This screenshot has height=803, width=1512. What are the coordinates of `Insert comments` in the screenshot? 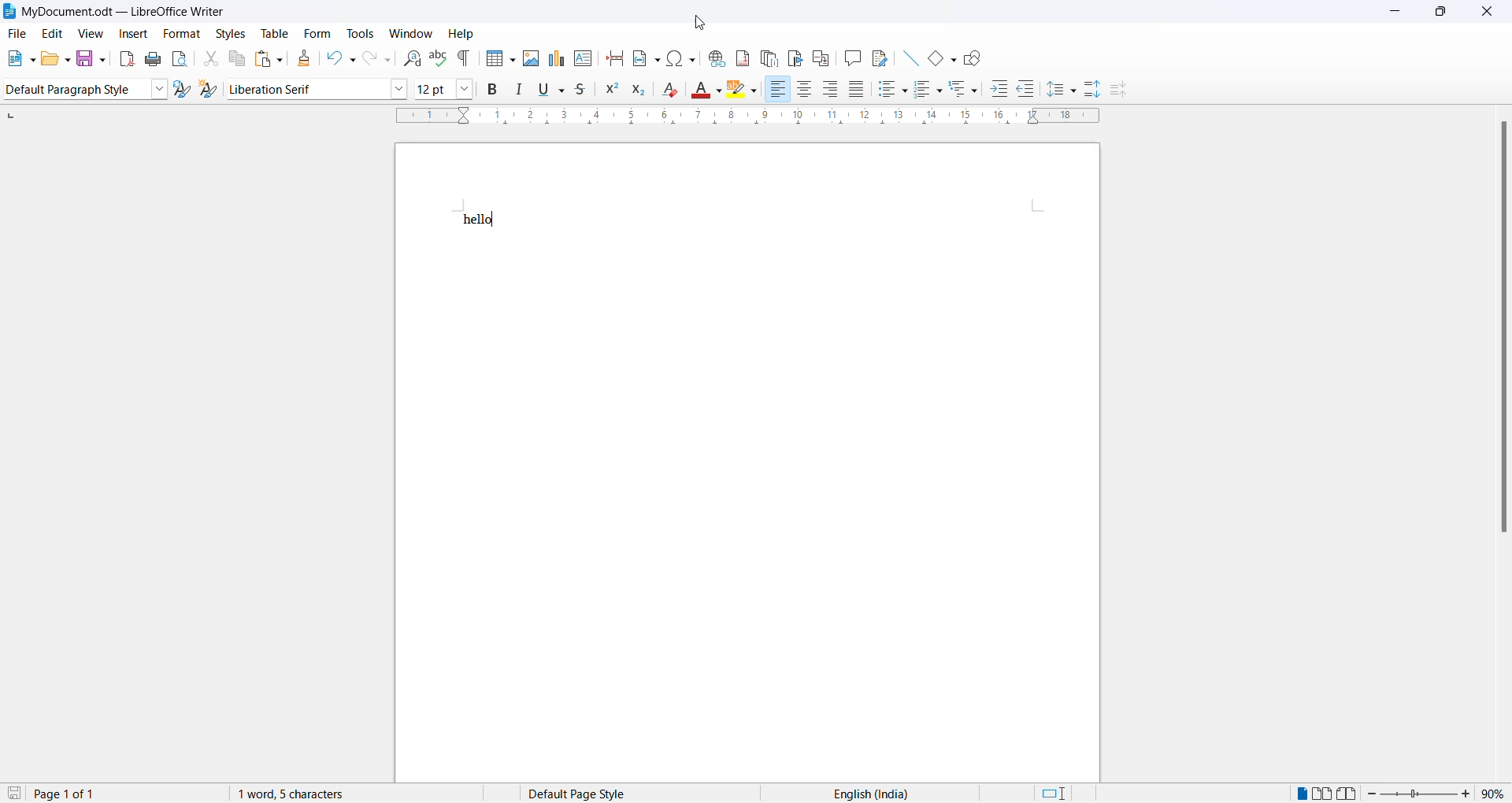 It's located at (852, 59).